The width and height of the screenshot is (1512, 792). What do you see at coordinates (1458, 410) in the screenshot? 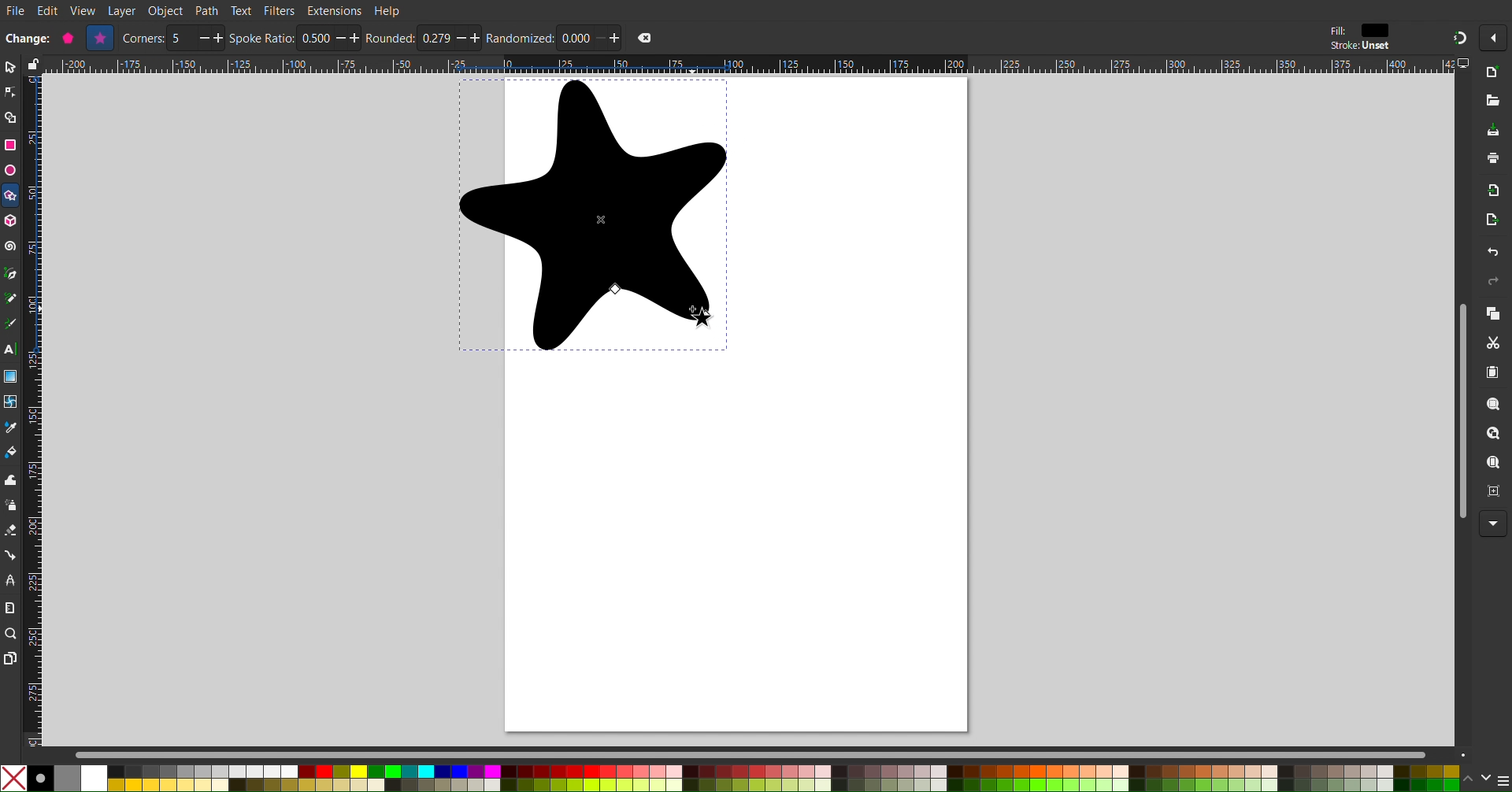
I see `Scrollbar` at bounding box center [1458, 410].